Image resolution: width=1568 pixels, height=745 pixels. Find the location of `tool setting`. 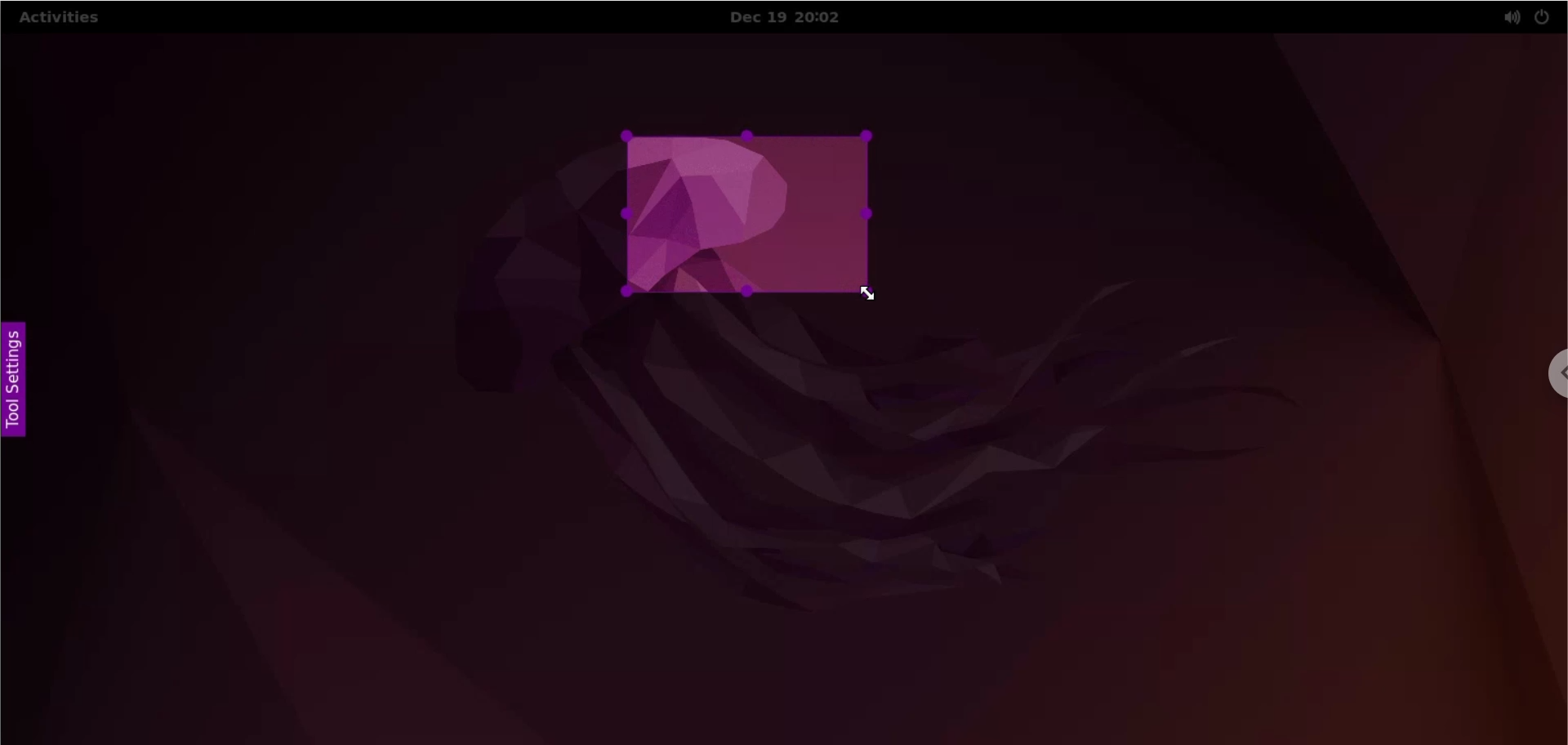

tool setting is located at coordinates (20, 376).